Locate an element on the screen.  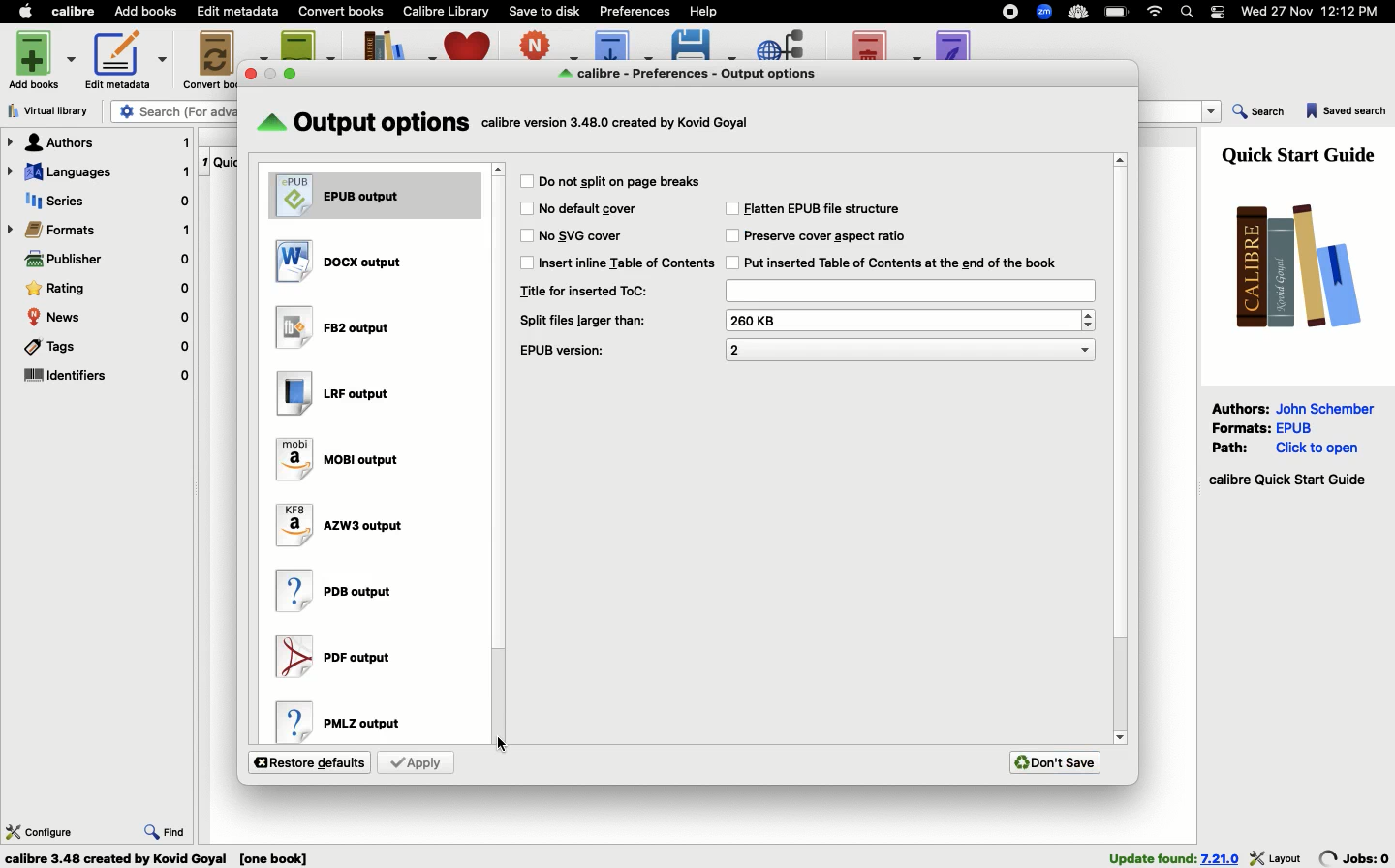
Start guide is located at coordinates (1286, 480).